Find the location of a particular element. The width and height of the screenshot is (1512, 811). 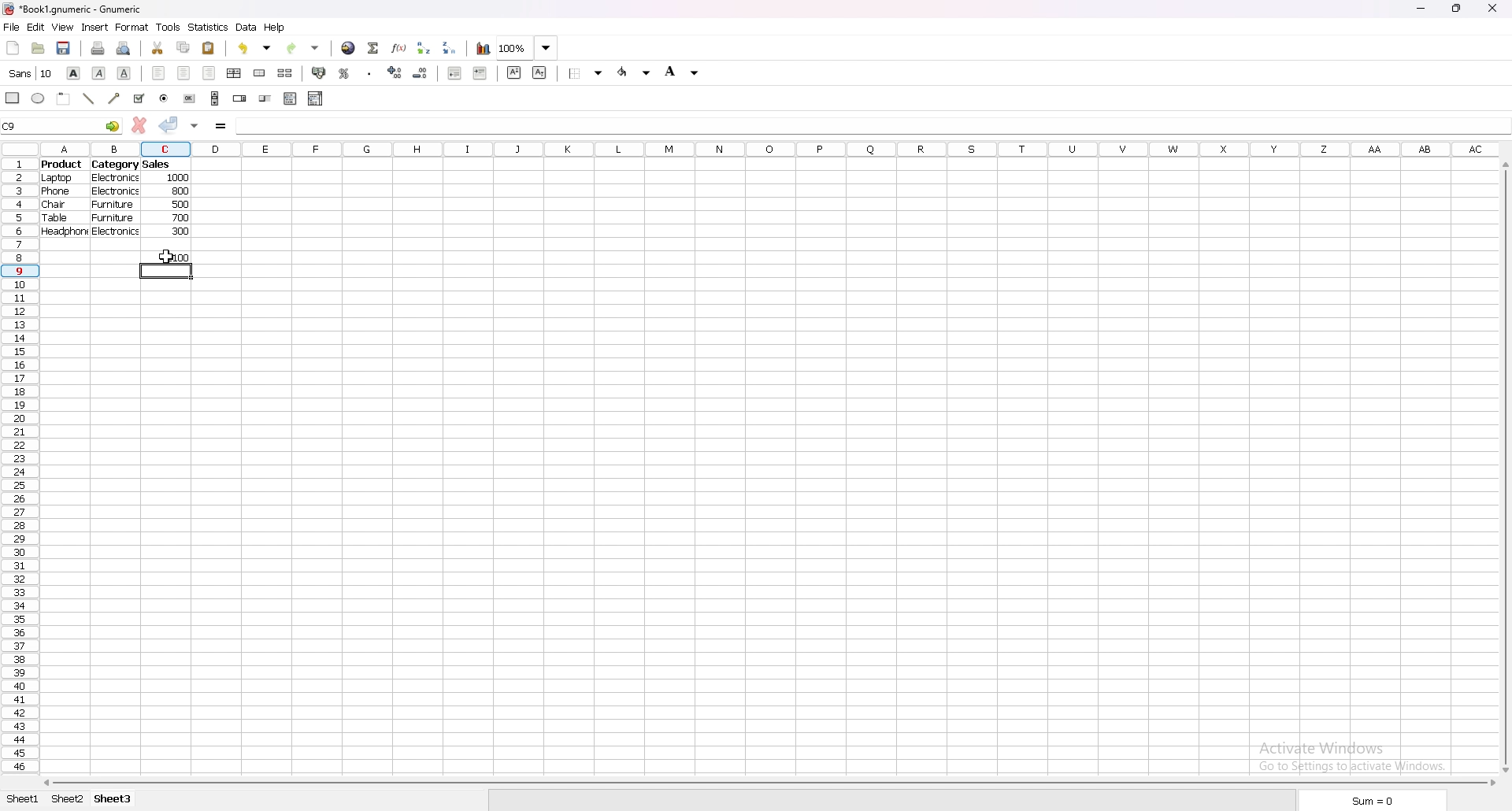

electronics is located at coordinates (117, 233).